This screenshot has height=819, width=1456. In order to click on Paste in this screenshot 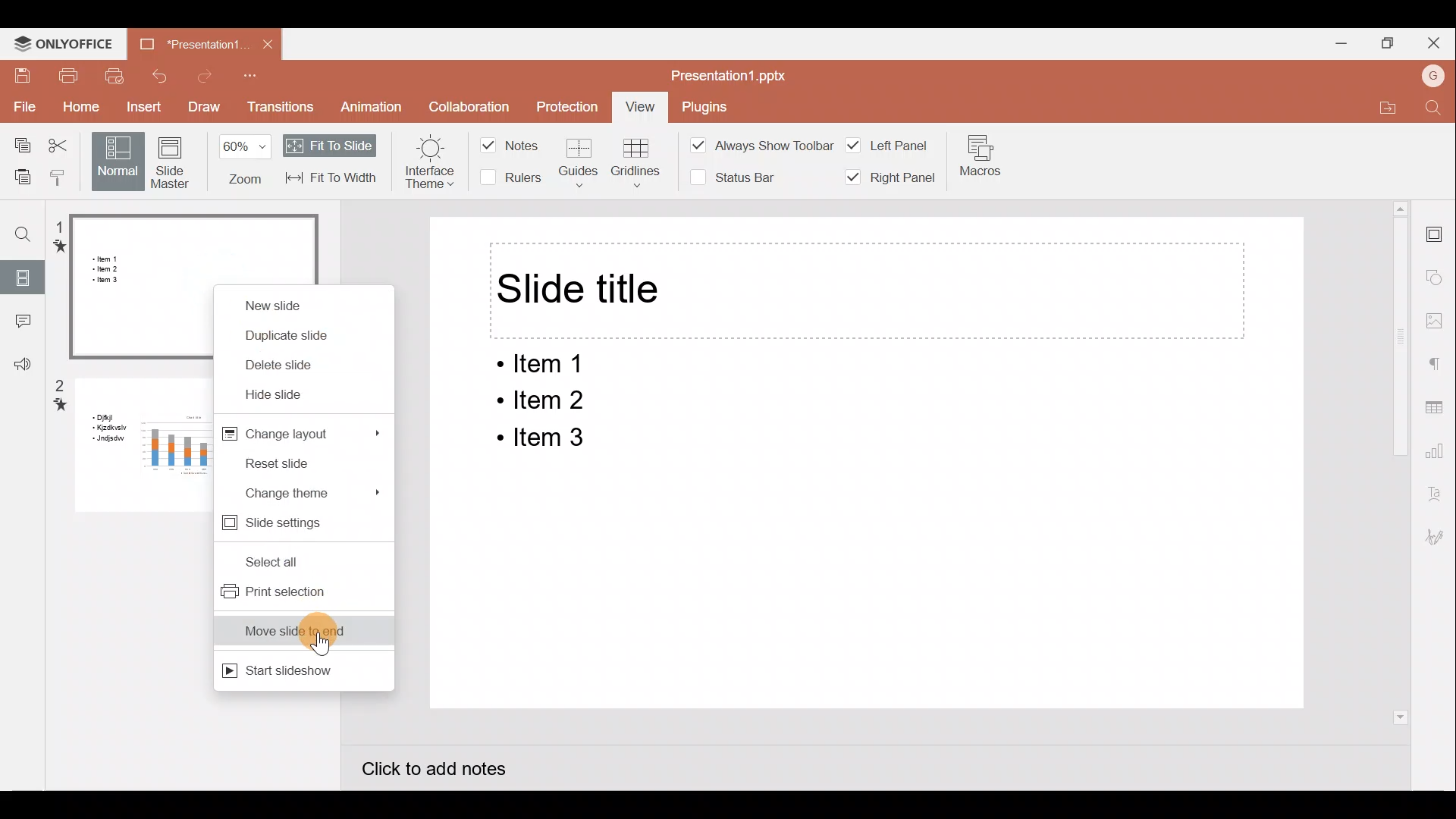, I will do `click(21, 175)`.